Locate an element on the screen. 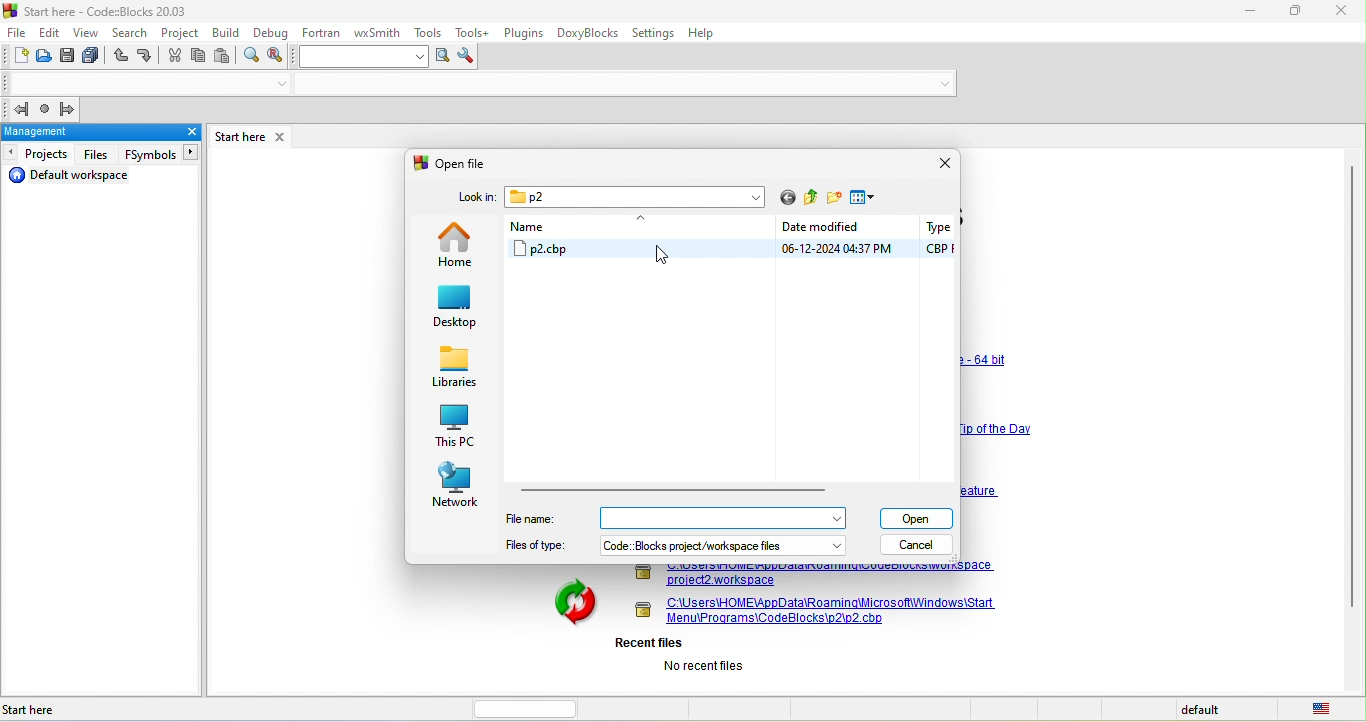  projects is located at coordinates (39, 154).